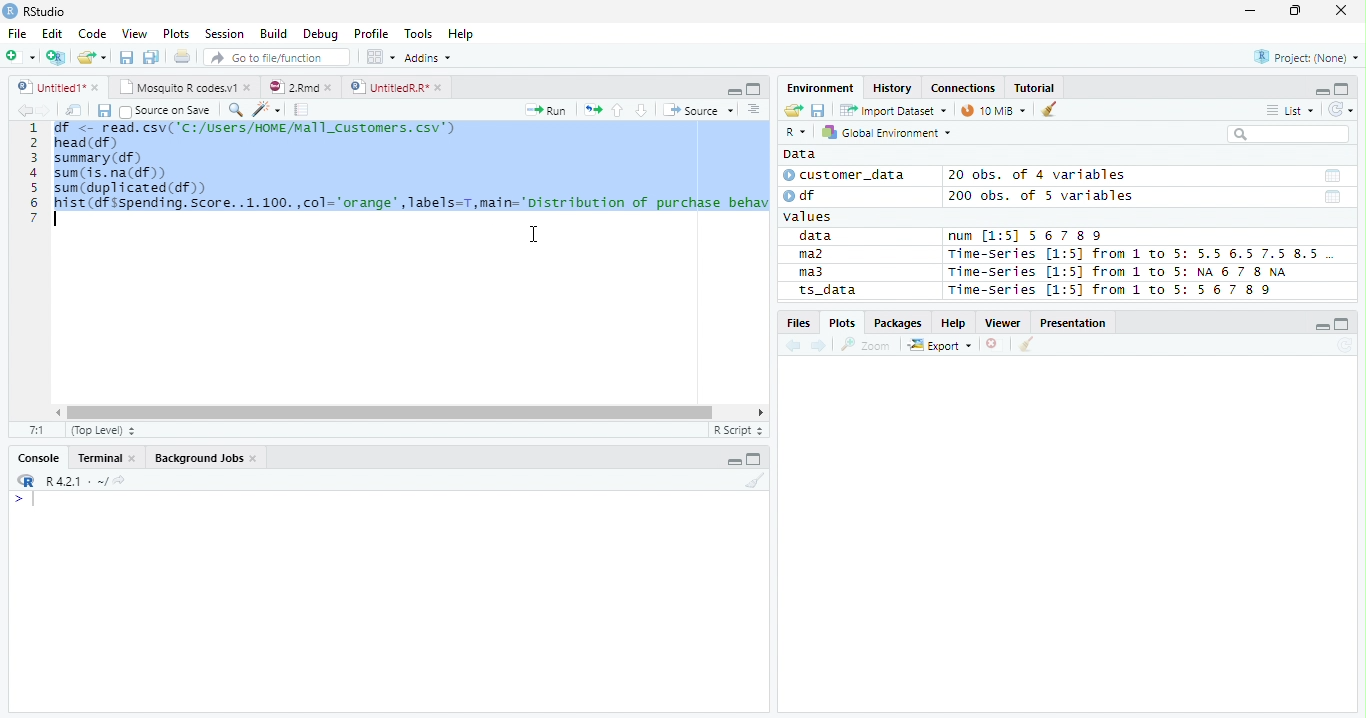  I want to click on Maximize, so click(1343, 89).